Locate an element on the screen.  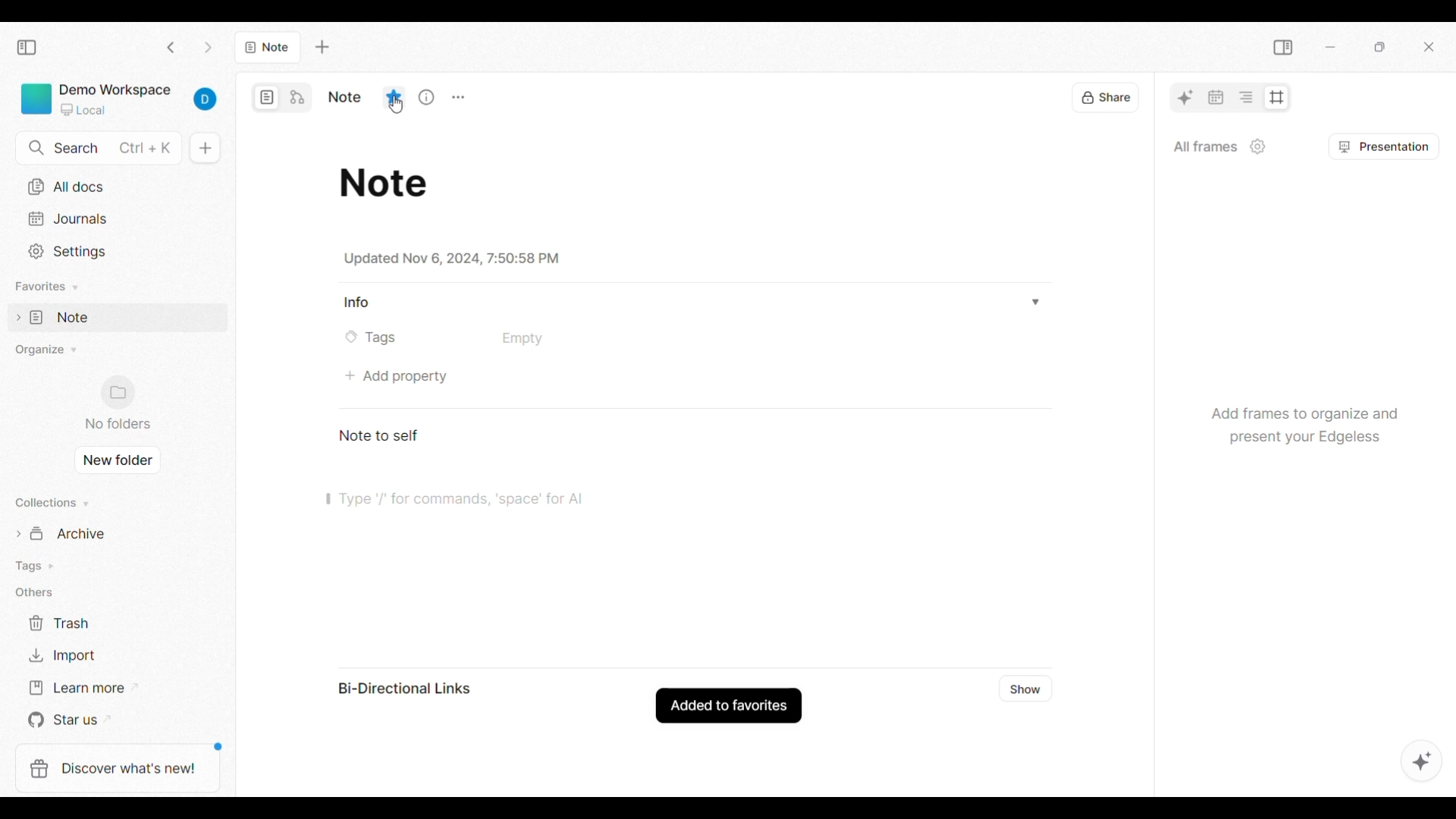
Dated journals is located at coordinates (118, 218).